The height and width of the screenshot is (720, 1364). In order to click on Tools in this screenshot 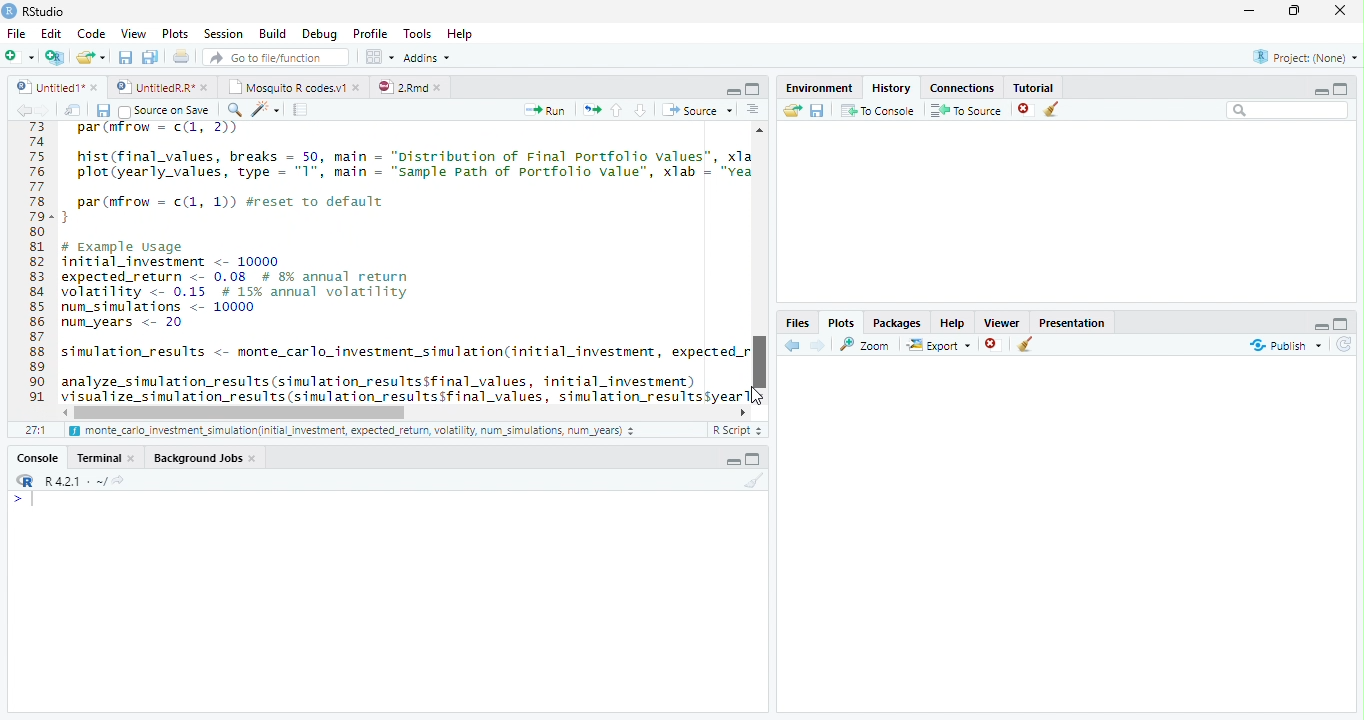, I will do `click(416, 34)`.